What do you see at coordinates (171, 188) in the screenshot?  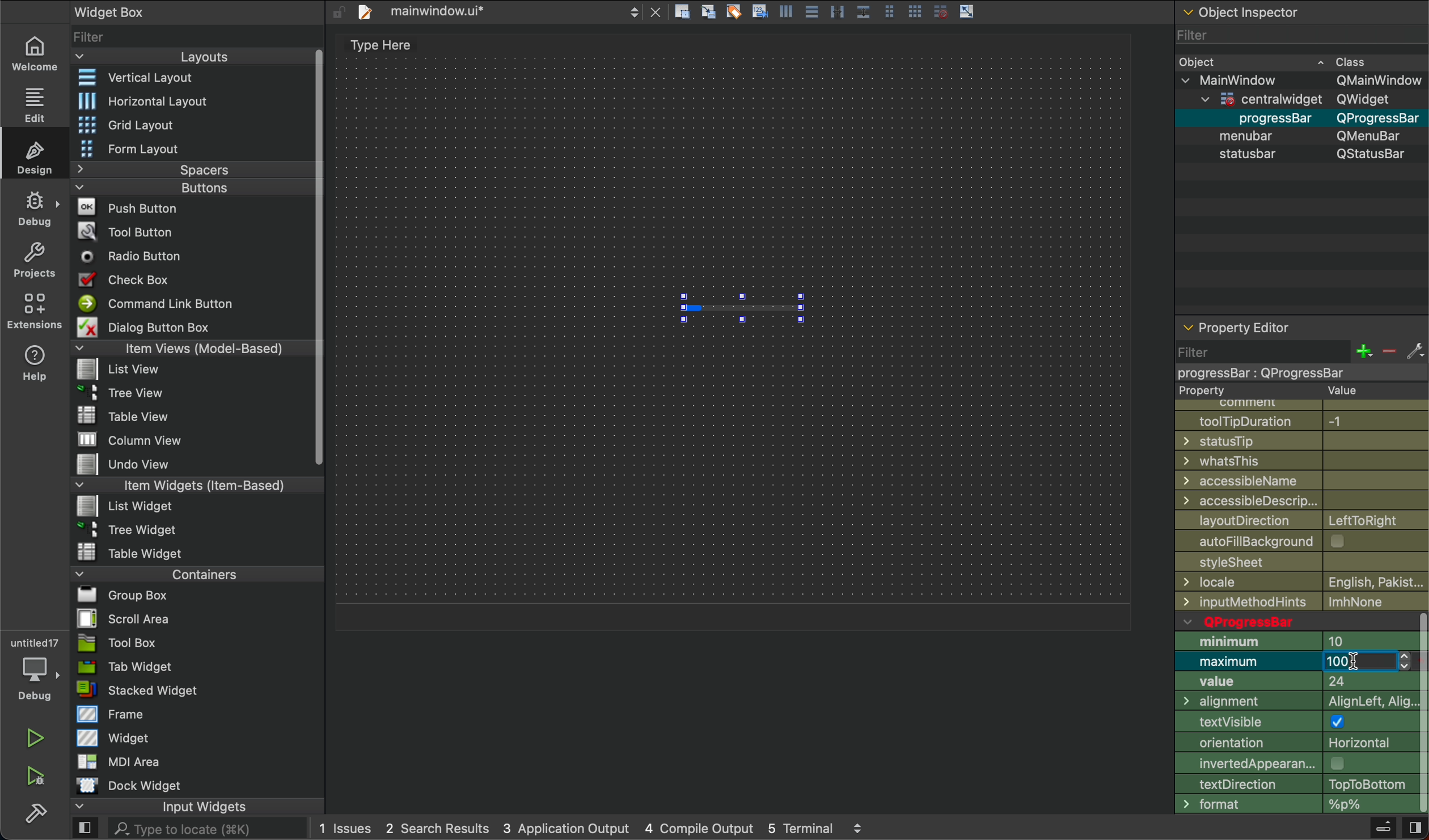 I see `Buttons` at bounding box center [171, 188].